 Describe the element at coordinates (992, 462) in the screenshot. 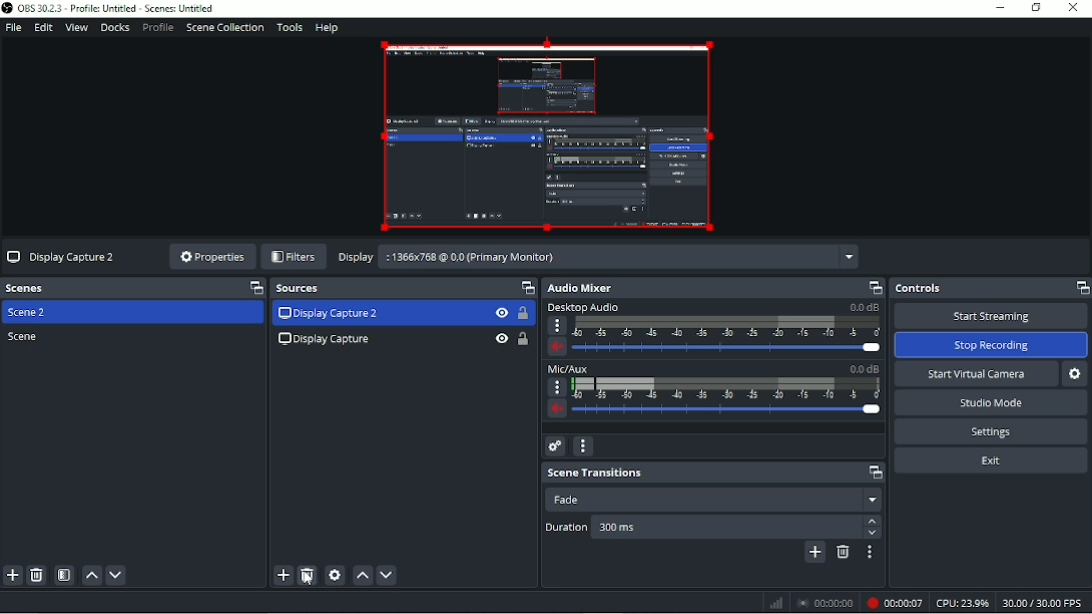

I see `Exit` at that location.